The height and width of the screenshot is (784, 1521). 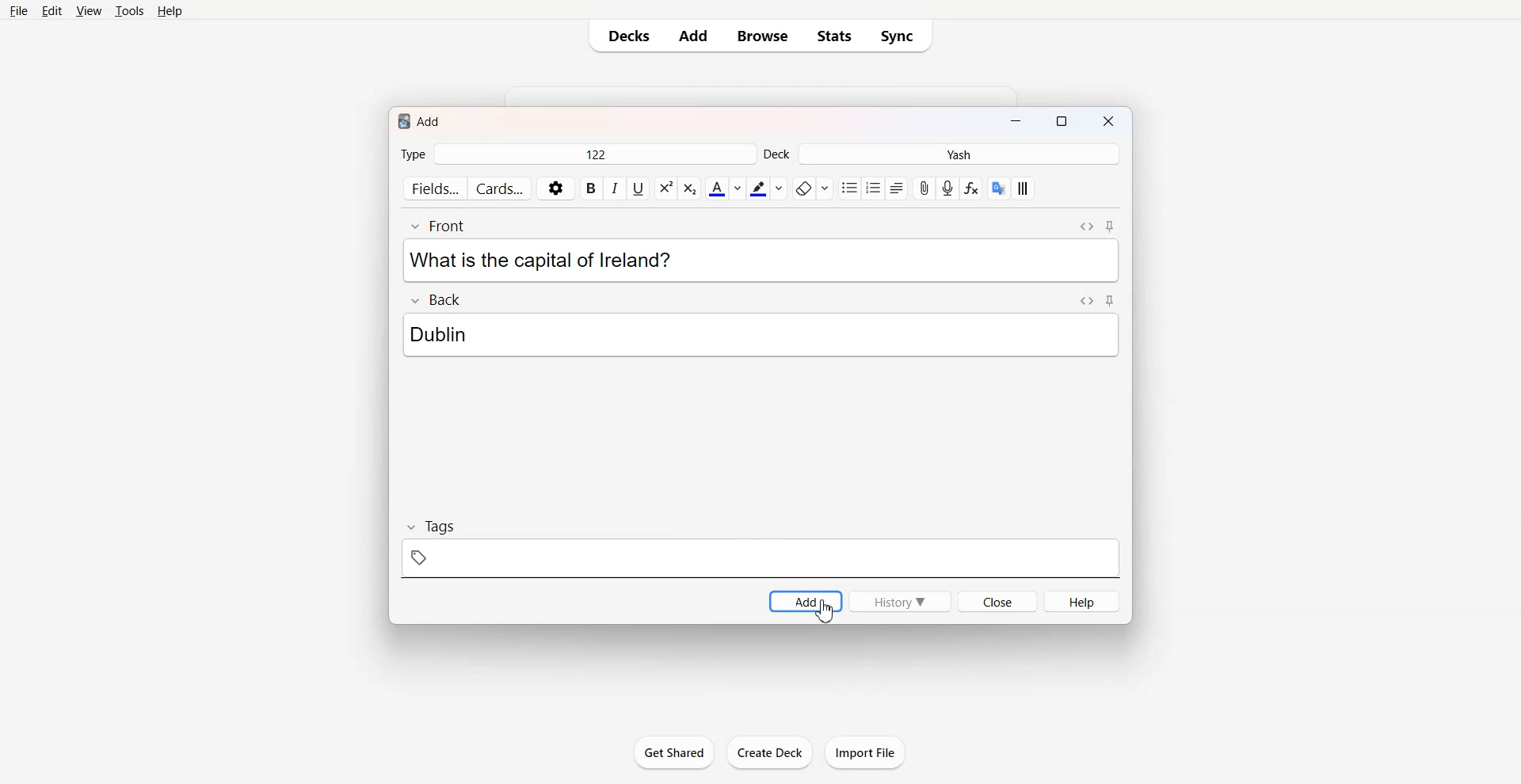 What do you see at coordinates (591, 188) in the screenshot?
I see `Bold` at bounding box center [591, 188].